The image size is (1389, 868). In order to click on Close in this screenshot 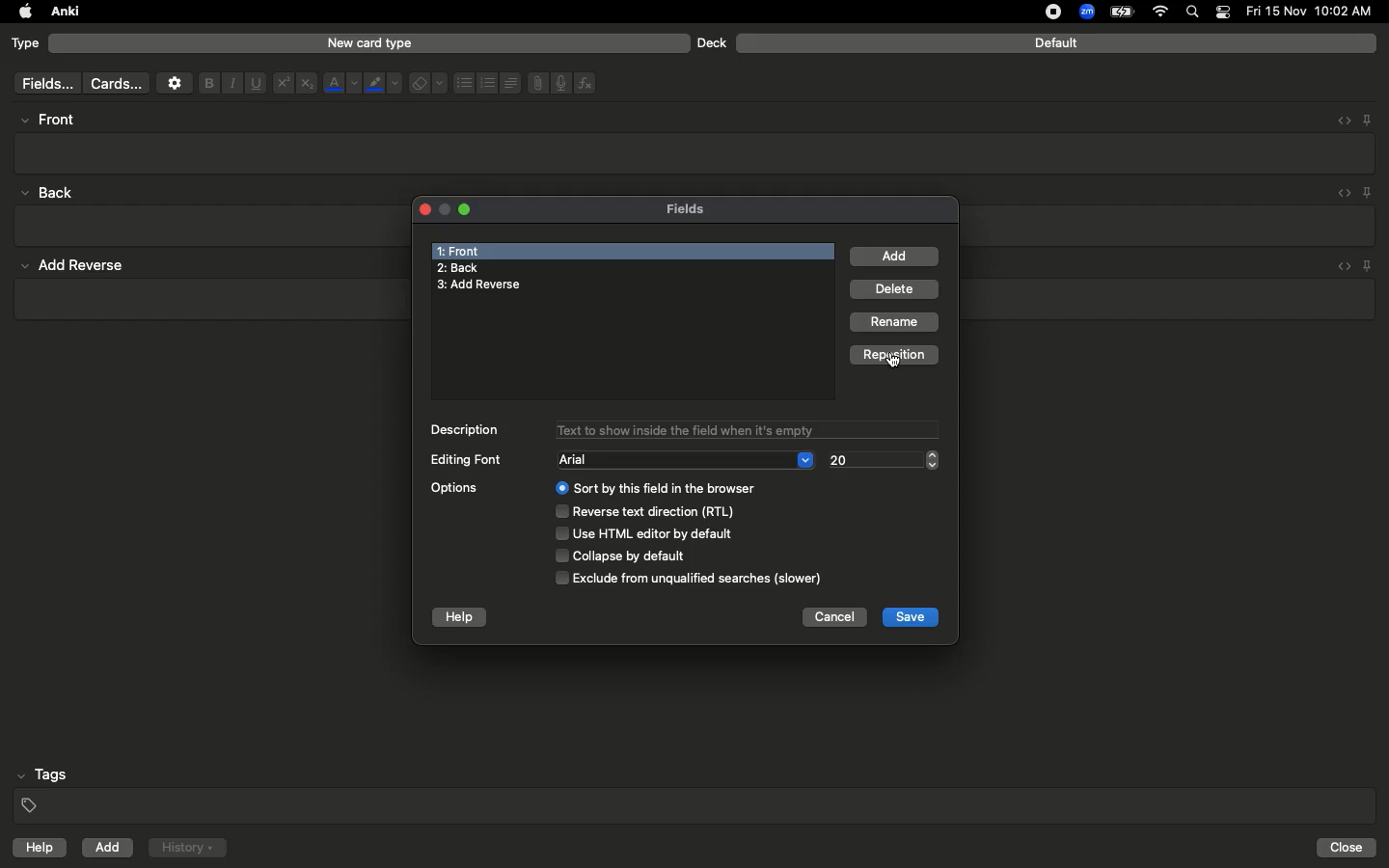, I will do `click(422, 208)`.